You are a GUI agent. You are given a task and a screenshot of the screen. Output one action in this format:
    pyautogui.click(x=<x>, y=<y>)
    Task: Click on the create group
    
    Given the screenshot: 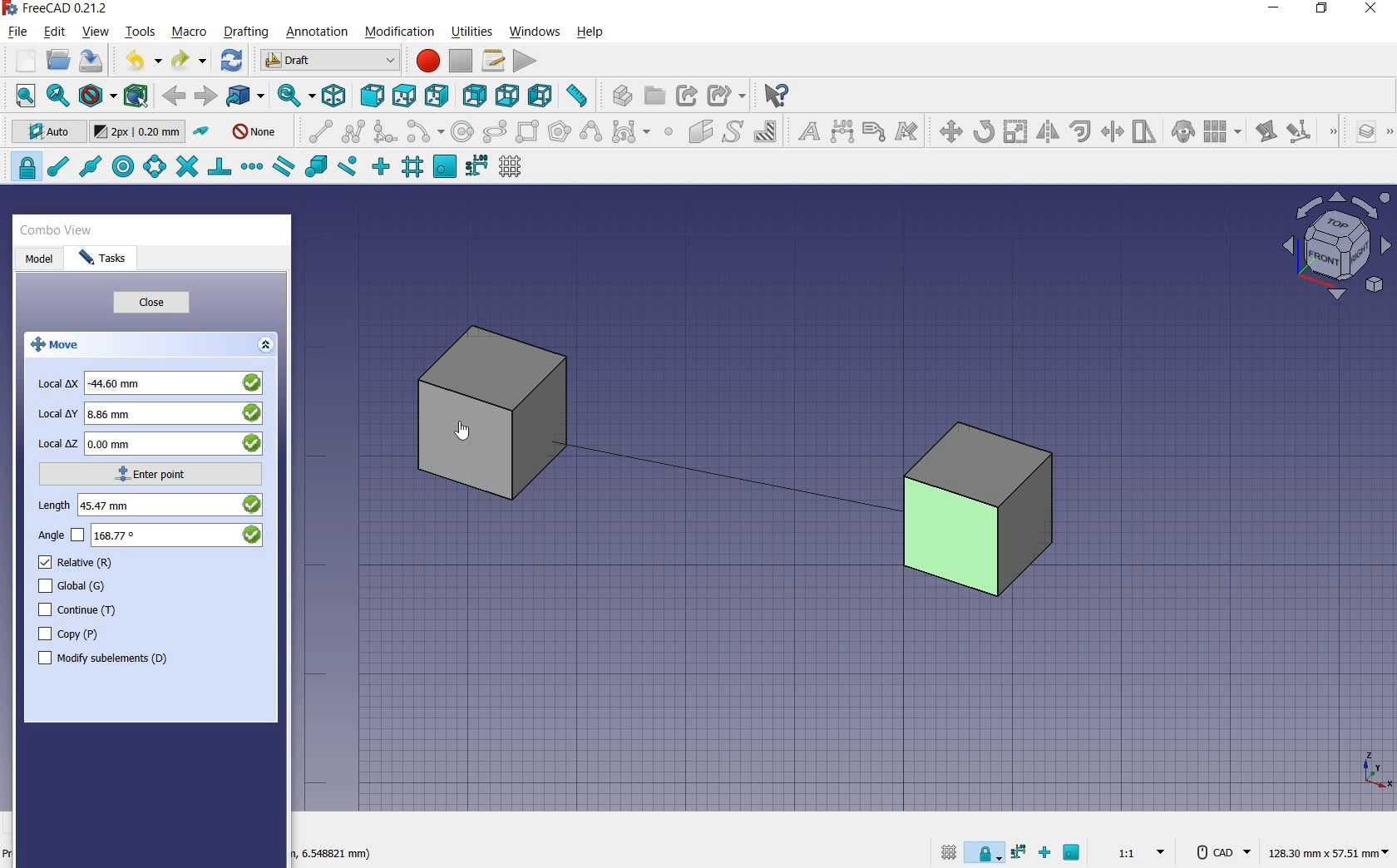 What is the action you would take?
    pyautogui.click(x=654, y=96)
    